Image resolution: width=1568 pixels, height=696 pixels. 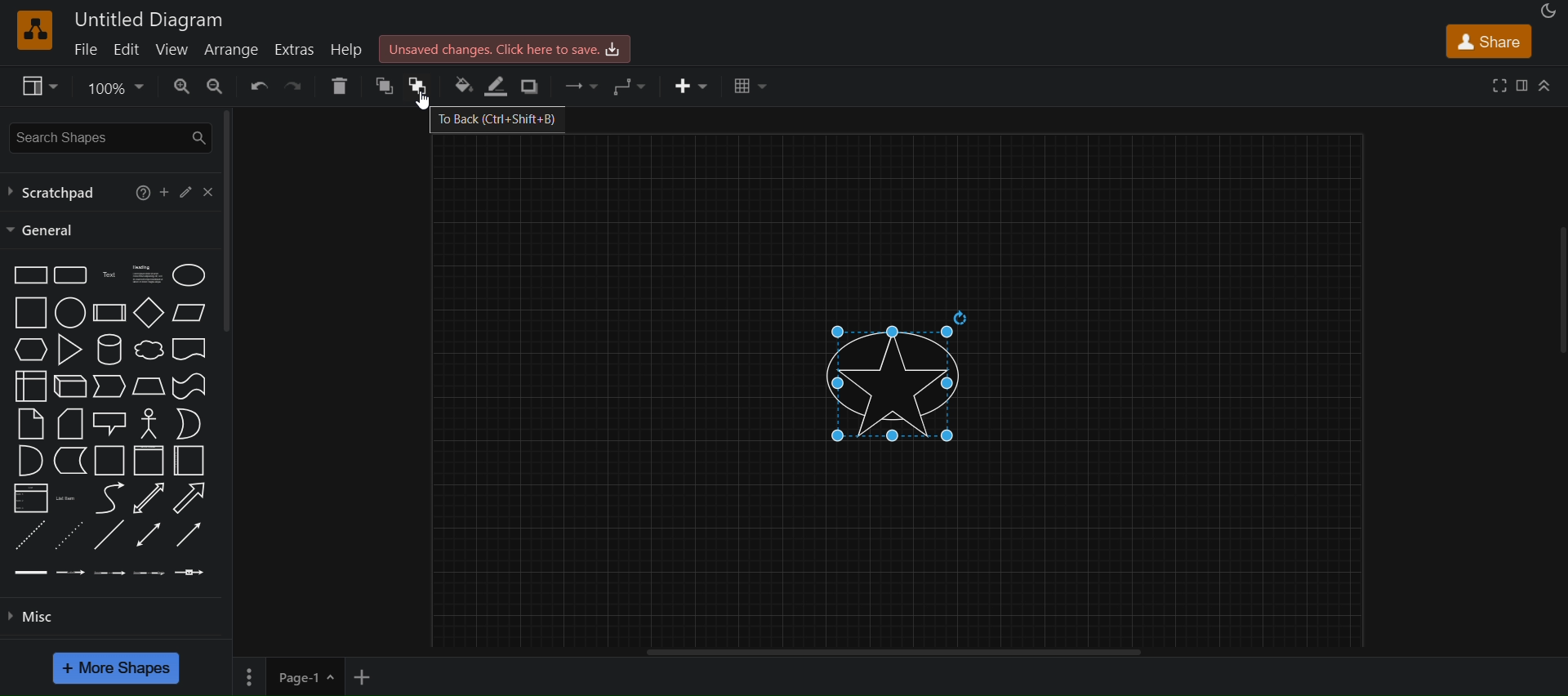 What do you see at coordinates (180, 86) in the screenshot?
I see `zoom in` at bounding box center [180, 86].